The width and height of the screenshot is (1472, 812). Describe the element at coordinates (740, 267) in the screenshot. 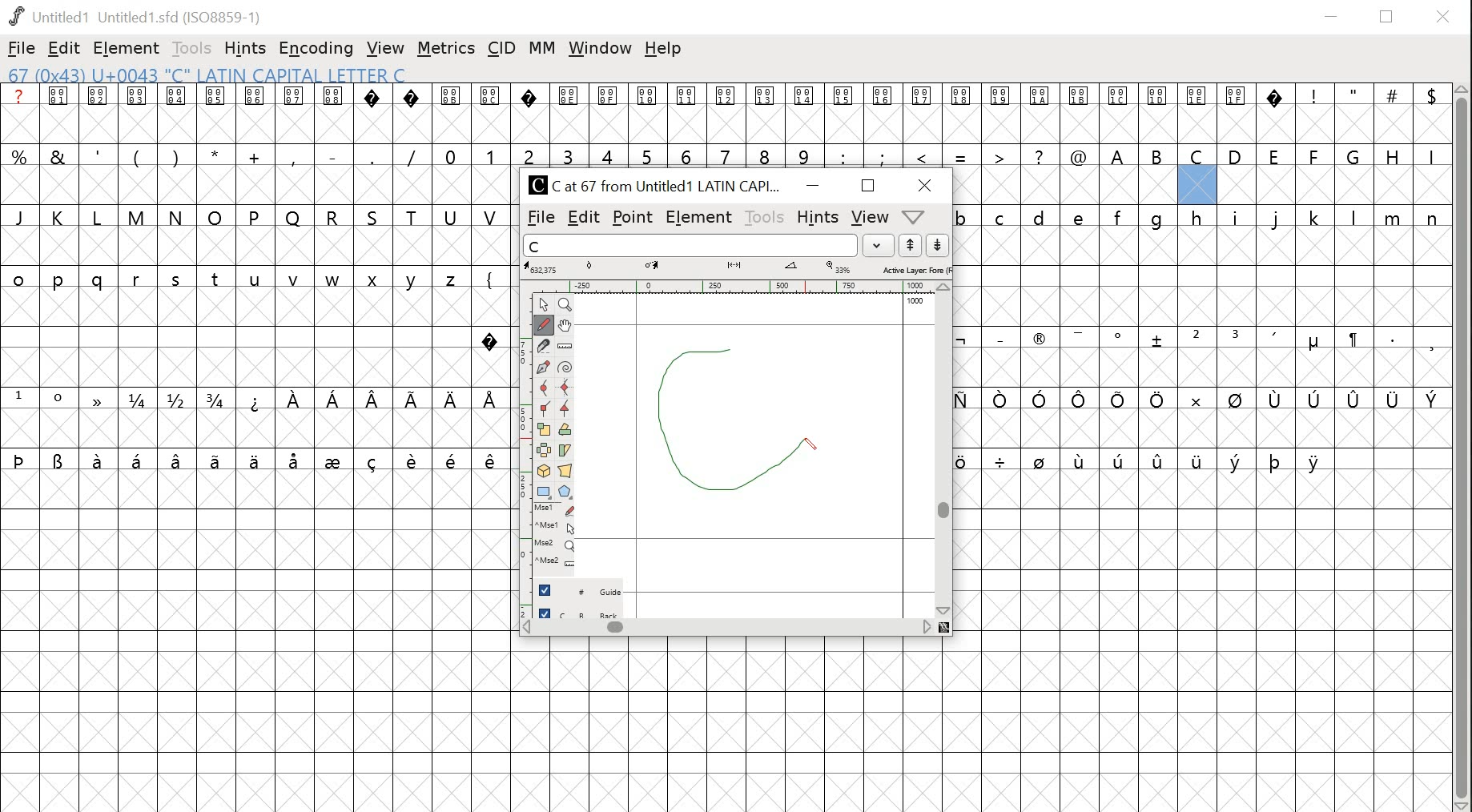

I see `measurements` at that location.